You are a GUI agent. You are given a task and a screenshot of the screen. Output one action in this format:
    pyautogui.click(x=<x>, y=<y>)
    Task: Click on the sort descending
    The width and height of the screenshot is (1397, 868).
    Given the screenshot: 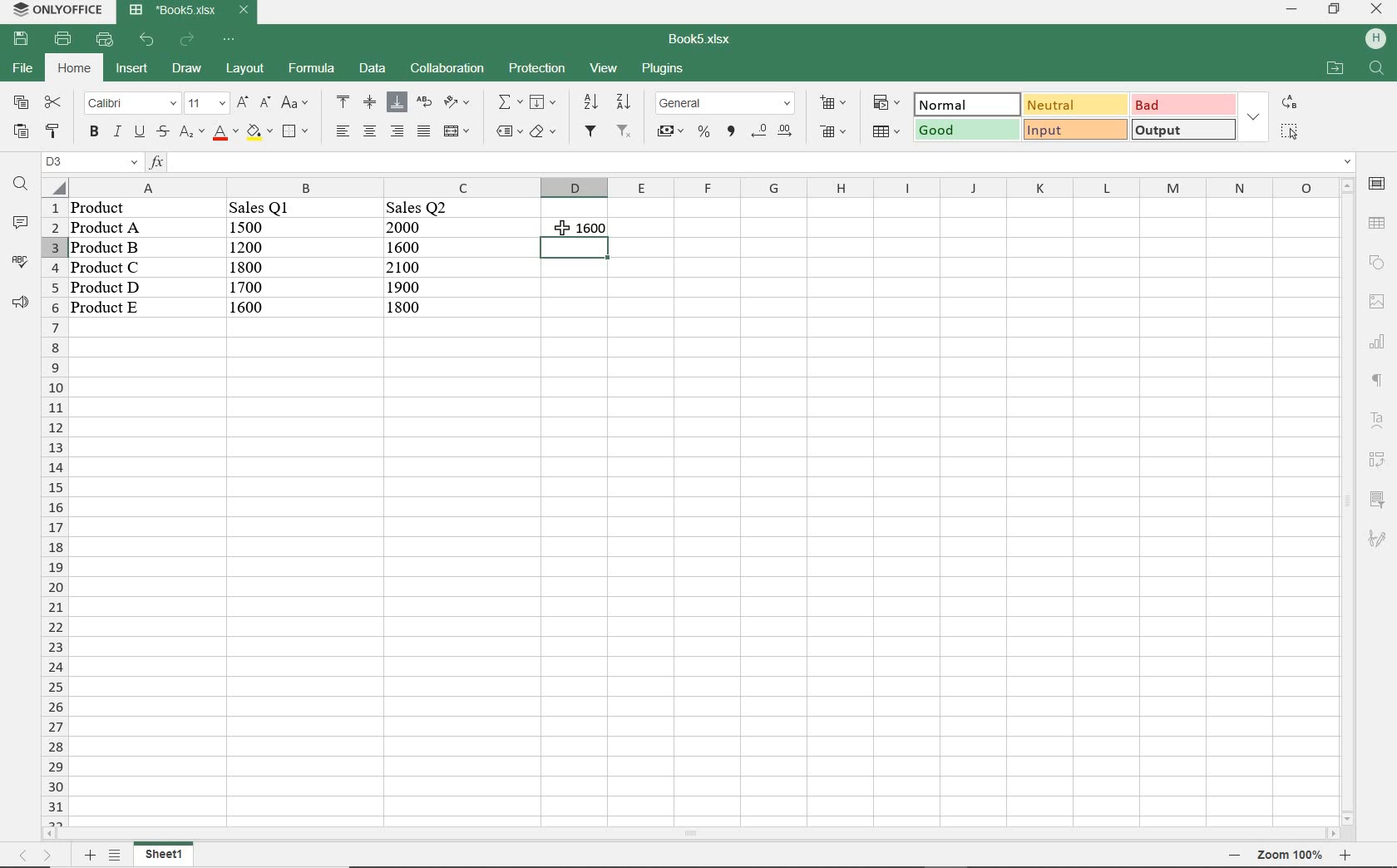 What is the action you would take?
    pyautogui.click(x=624, y=101)
    